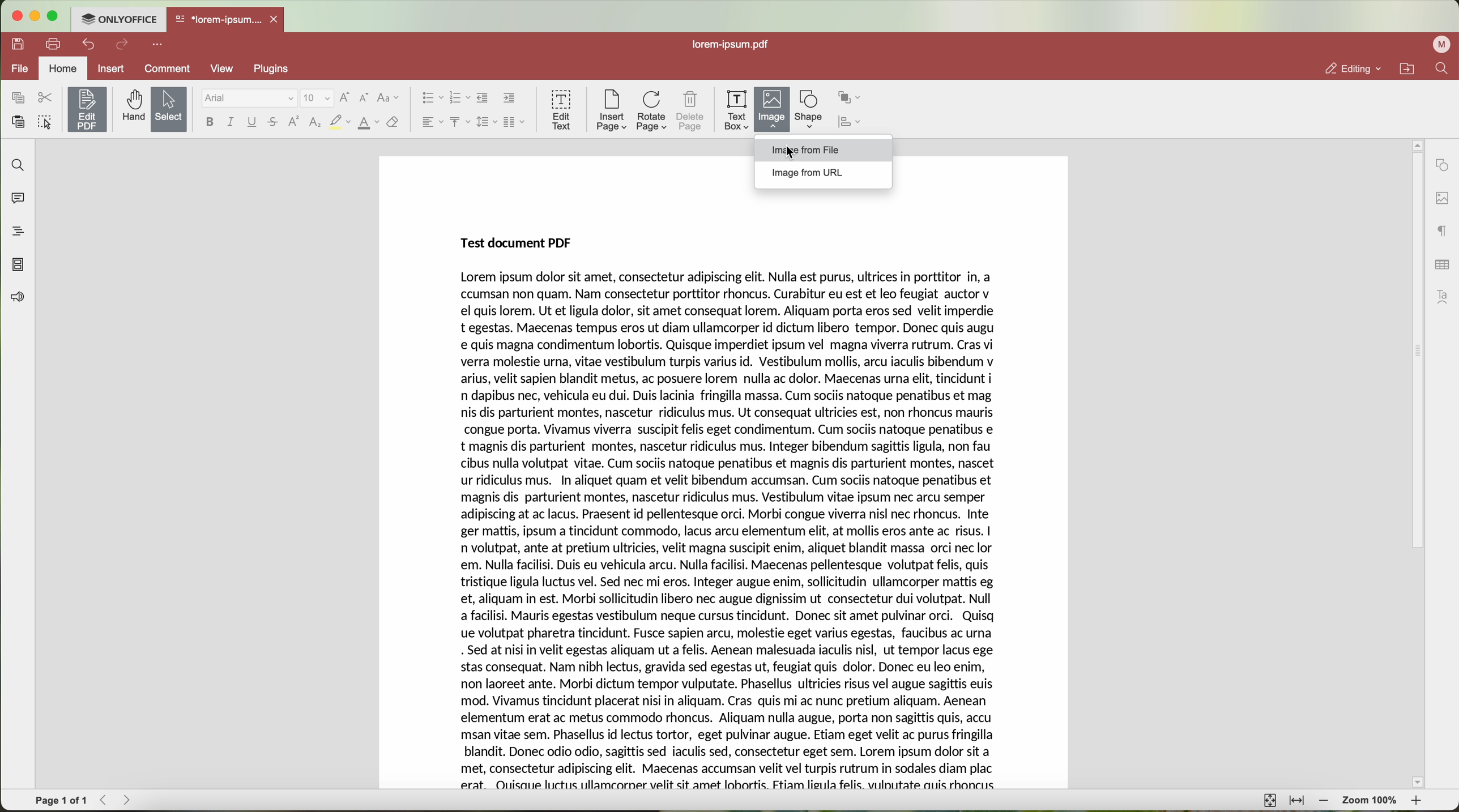 The height and width of the screenshot is (812, 1459). What do you see at coordinates (210, 122) in the screenshot?
I see `bold` at bounding box center [210, 122].